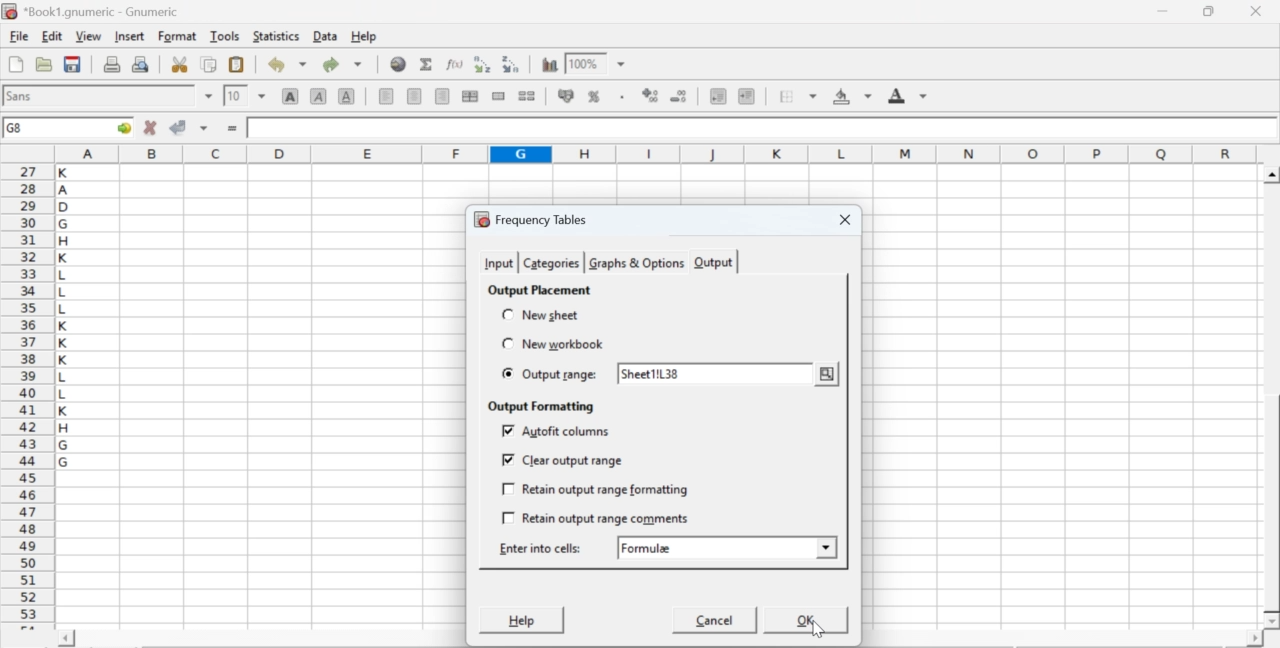 This screenshot has height=648, width=1280. Describe the element at coordinates (73, 64) in the screenshot. I see `save current workbook` at that location.